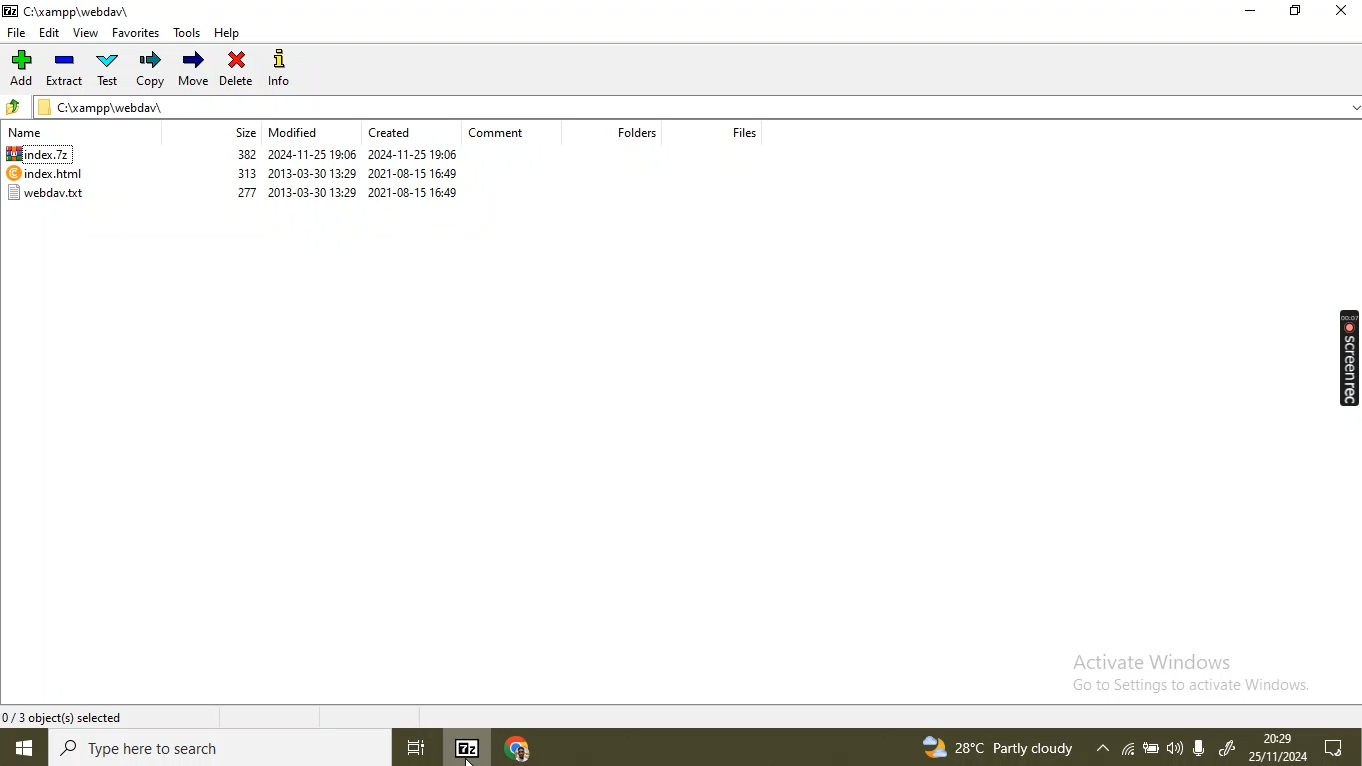  What do you see at coordinates (110, 69) in the screenshot?
I see `test` at bounding box center [110, 69].